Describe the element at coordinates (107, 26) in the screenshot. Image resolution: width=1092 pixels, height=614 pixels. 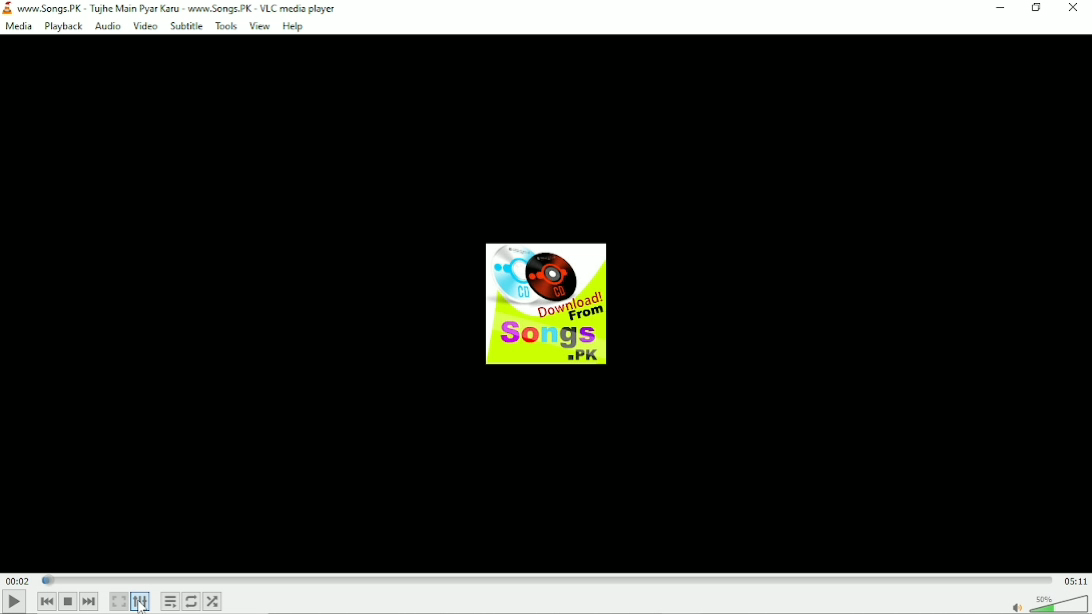
I see `Audio` at that location.